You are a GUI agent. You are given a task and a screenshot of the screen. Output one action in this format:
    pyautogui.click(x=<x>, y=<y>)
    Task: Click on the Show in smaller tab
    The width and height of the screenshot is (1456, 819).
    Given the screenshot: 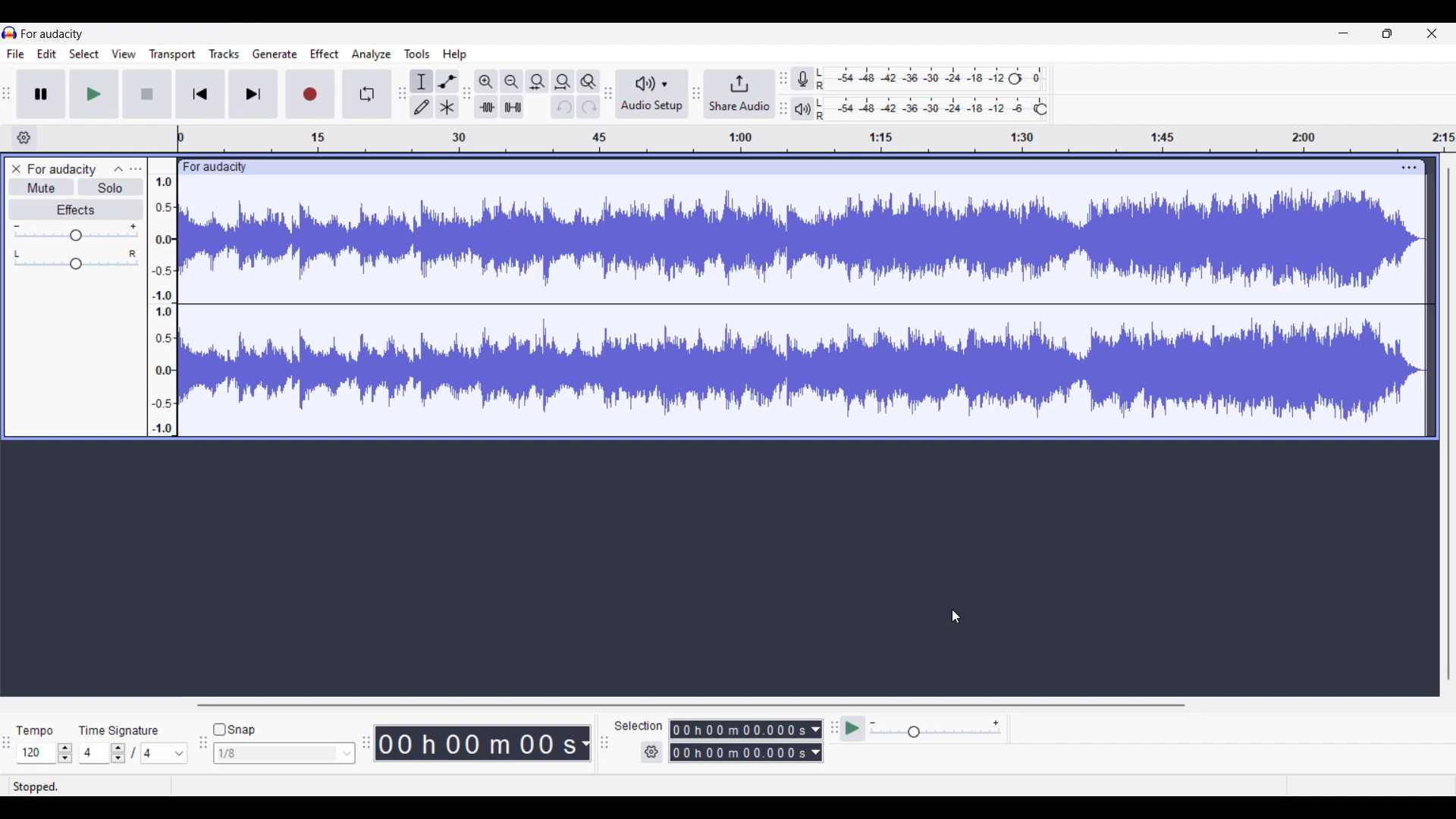 What is the action you would take?
    pyautogui.click(x=1387, y=33)
    